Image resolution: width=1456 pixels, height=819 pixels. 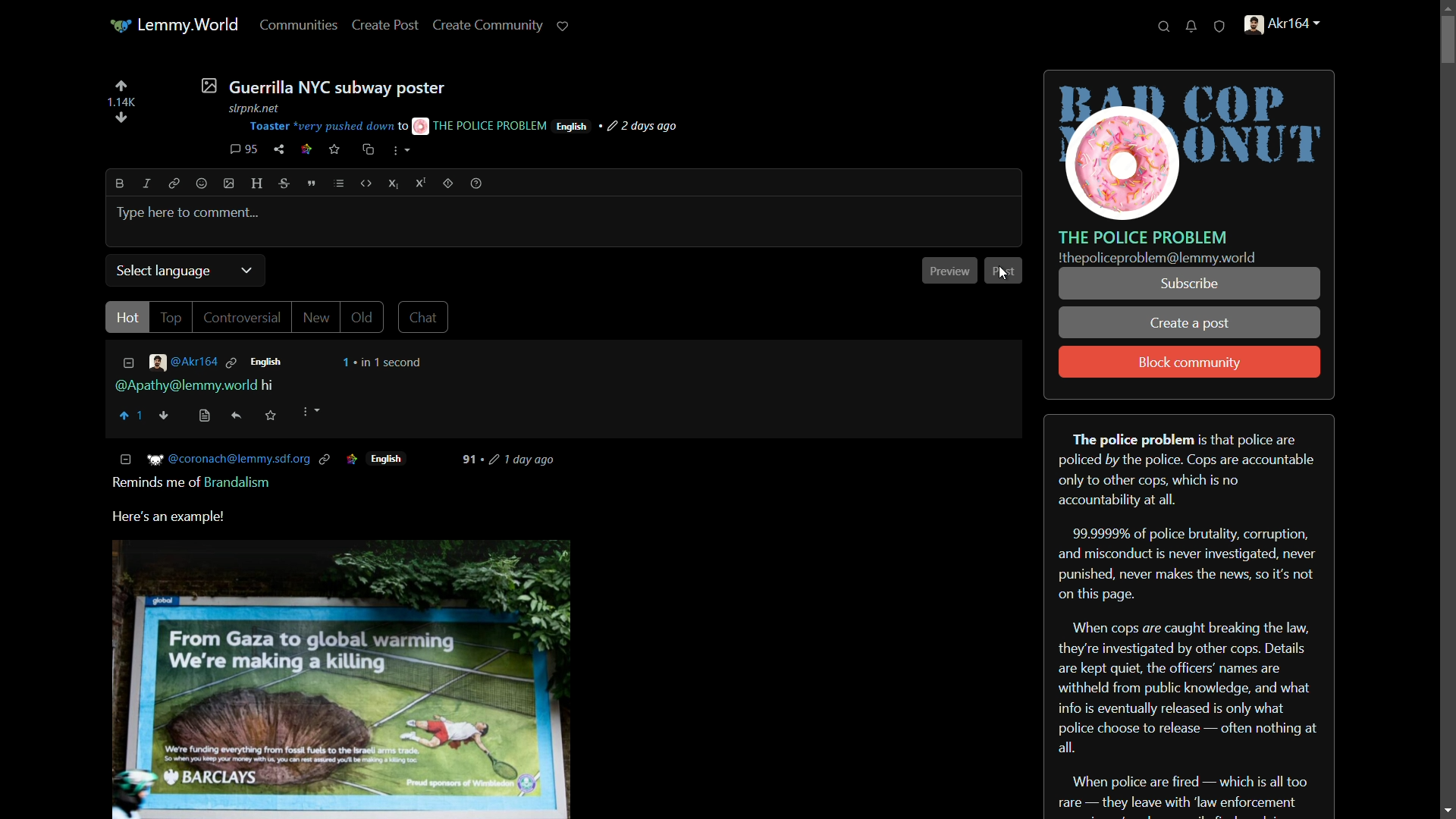 What do you see at coordinates (121, 184) in the screenshot?
I see `bold` at bounding box center [121, 184].